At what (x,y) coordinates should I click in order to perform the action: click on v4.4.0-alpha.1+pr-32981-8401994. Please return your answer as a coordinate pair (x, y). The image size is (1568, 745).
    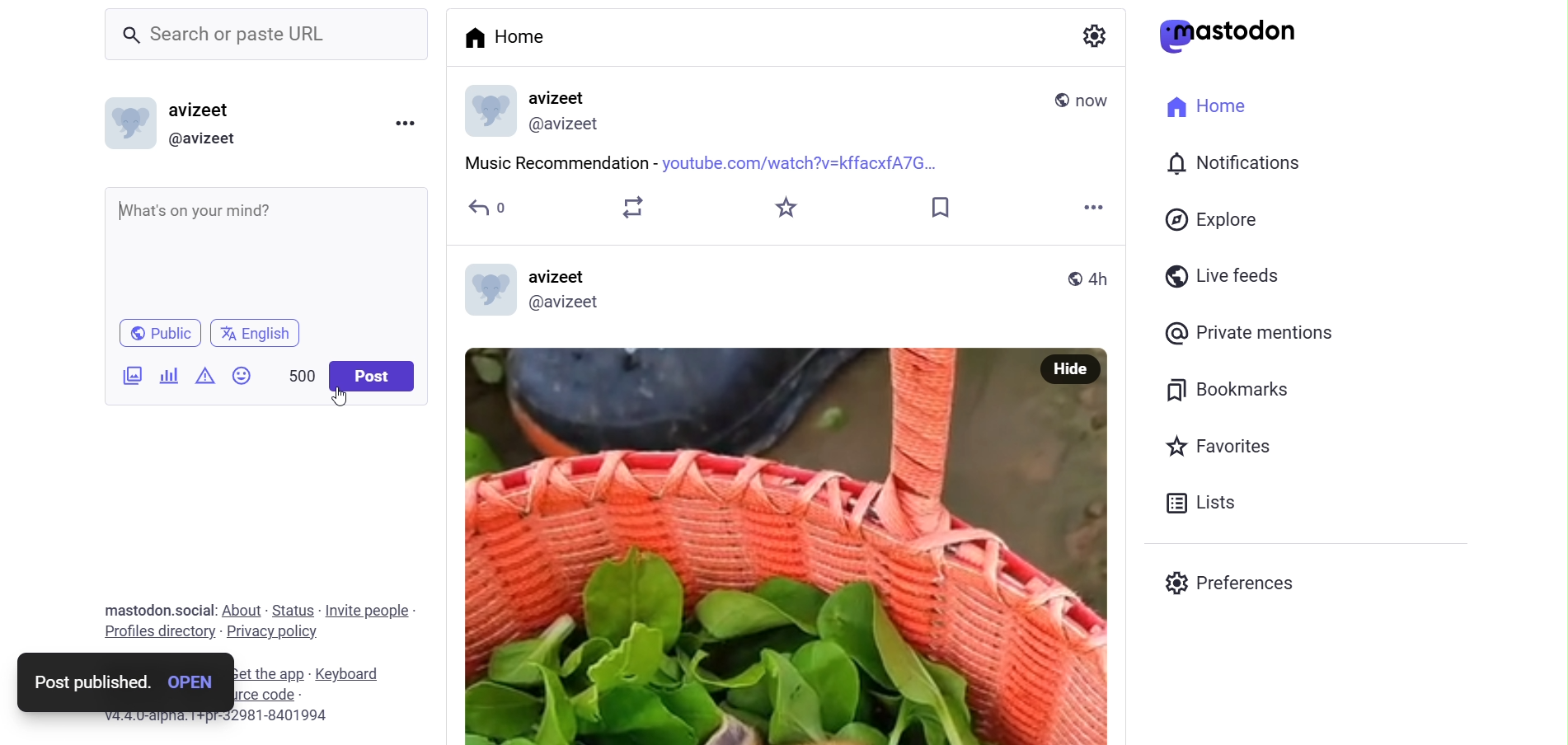
    Looking at the image, I should click on (206, 715).